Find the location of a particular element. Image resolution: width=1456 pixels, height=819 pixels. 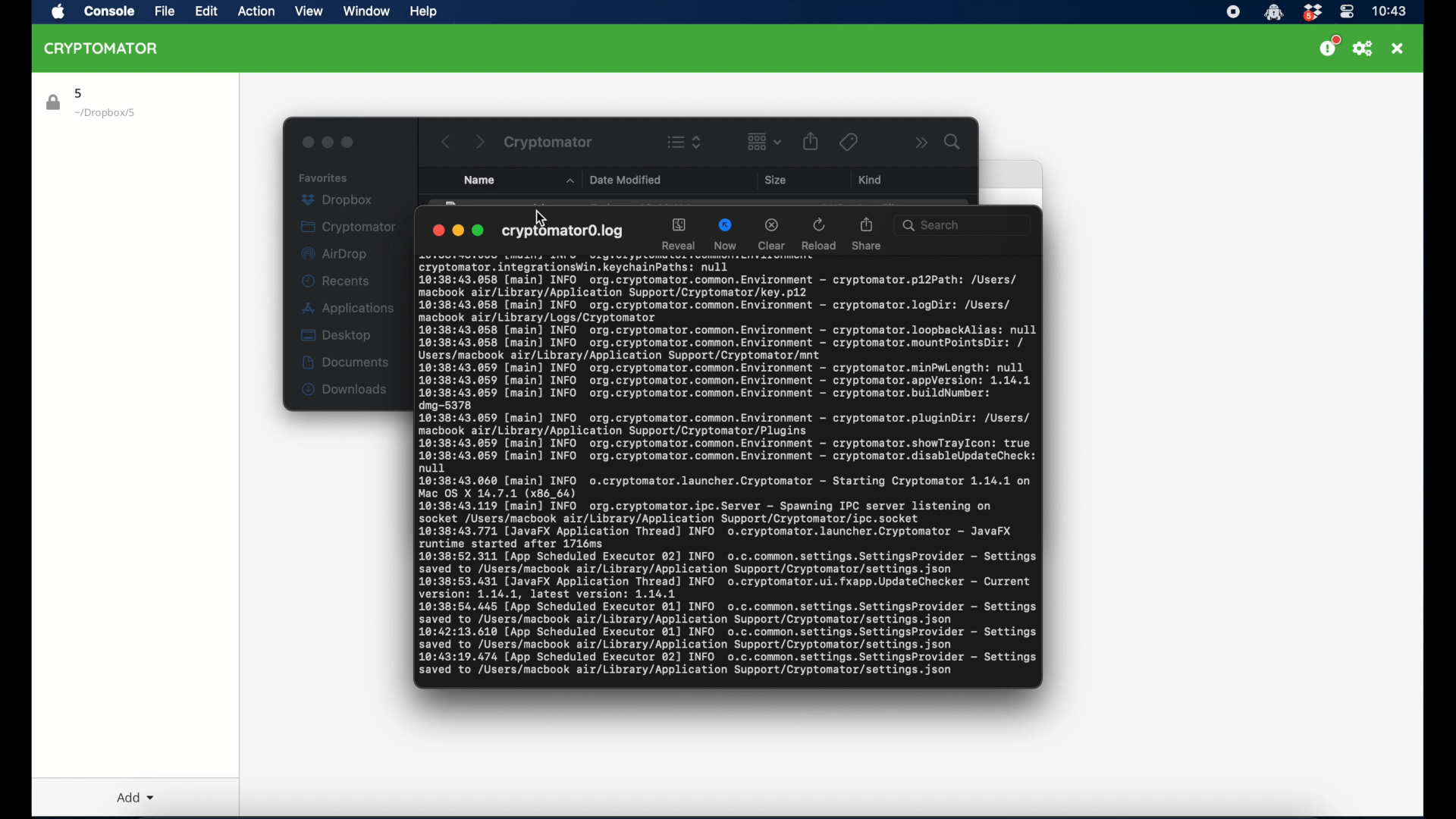

maximize is located at coordinates (348, 143).